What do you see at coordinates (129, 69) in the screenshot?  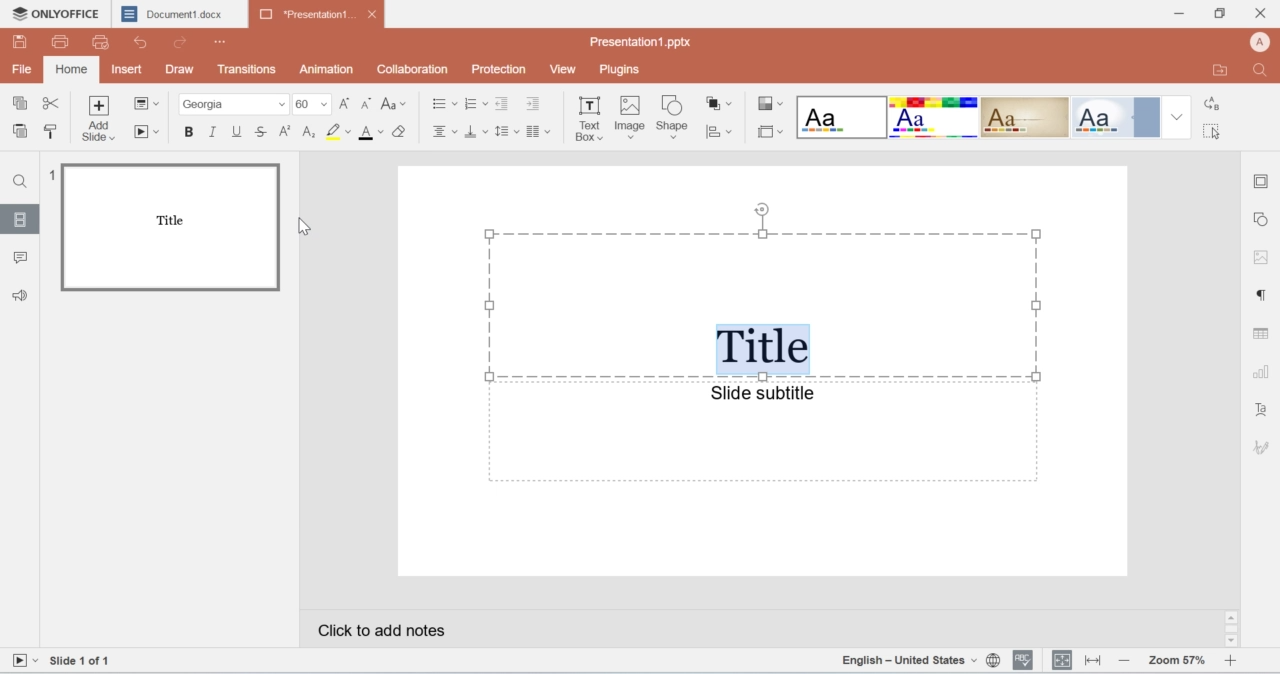 I see `insert` at bounding box center [129, 69].